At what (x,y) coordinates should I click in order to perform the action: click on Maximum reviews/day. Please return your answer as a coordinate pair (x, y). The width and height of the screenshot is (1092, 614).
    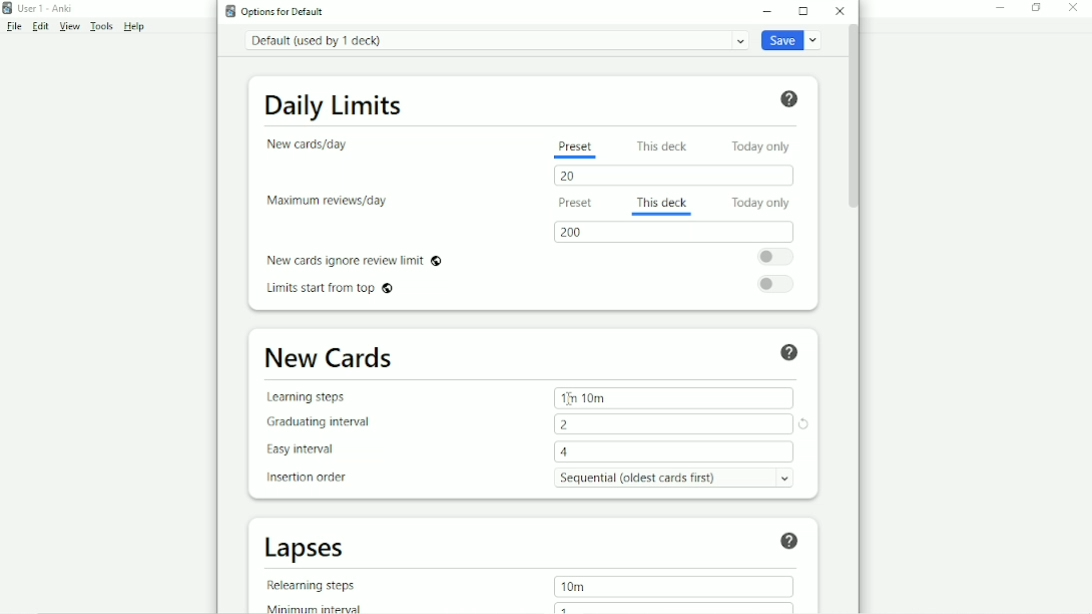
    Looking at the image, I should click on (330, 202).